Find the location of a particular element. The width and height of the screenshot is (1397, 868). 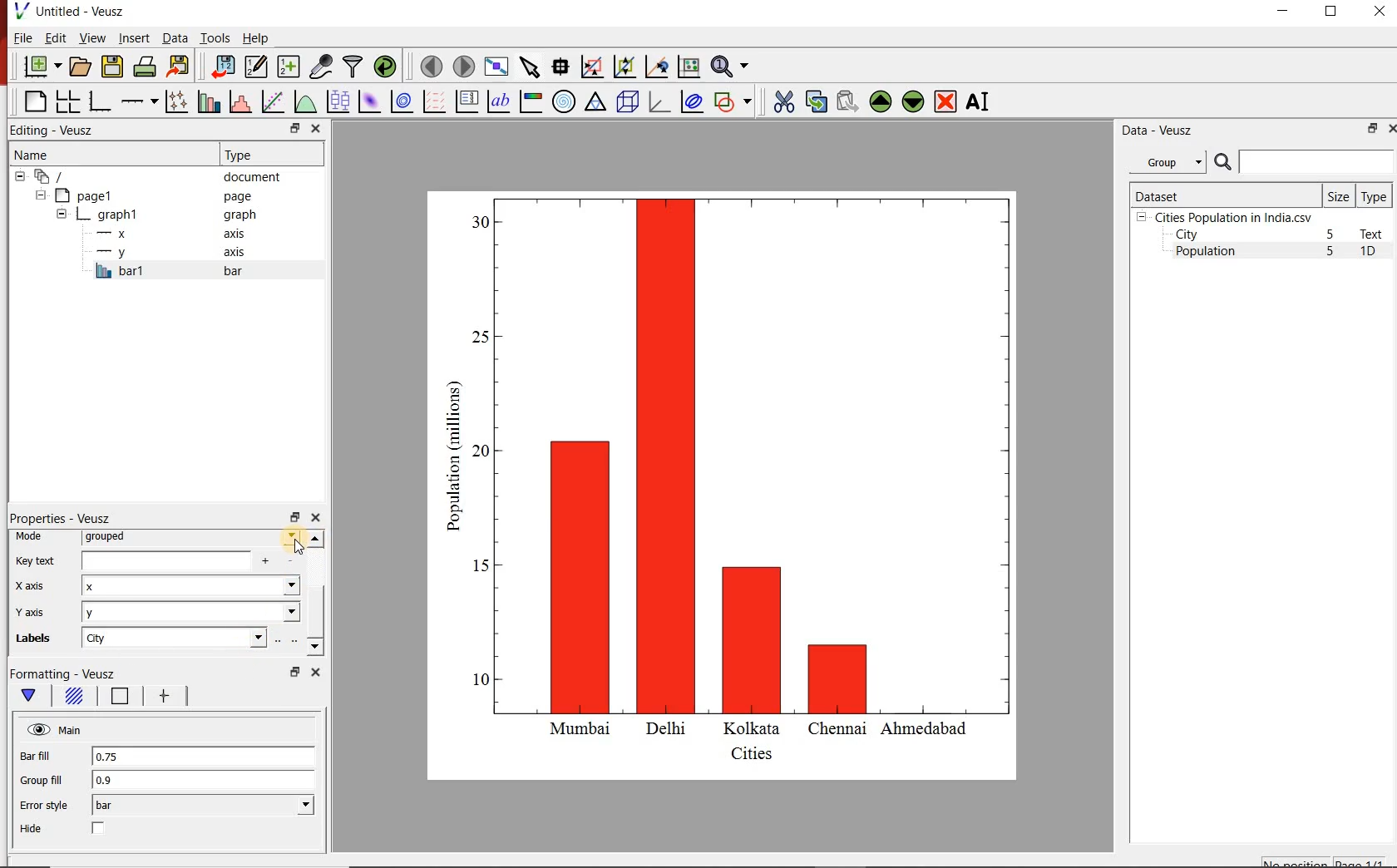

Main formatting is located at coordinates (32, 696).